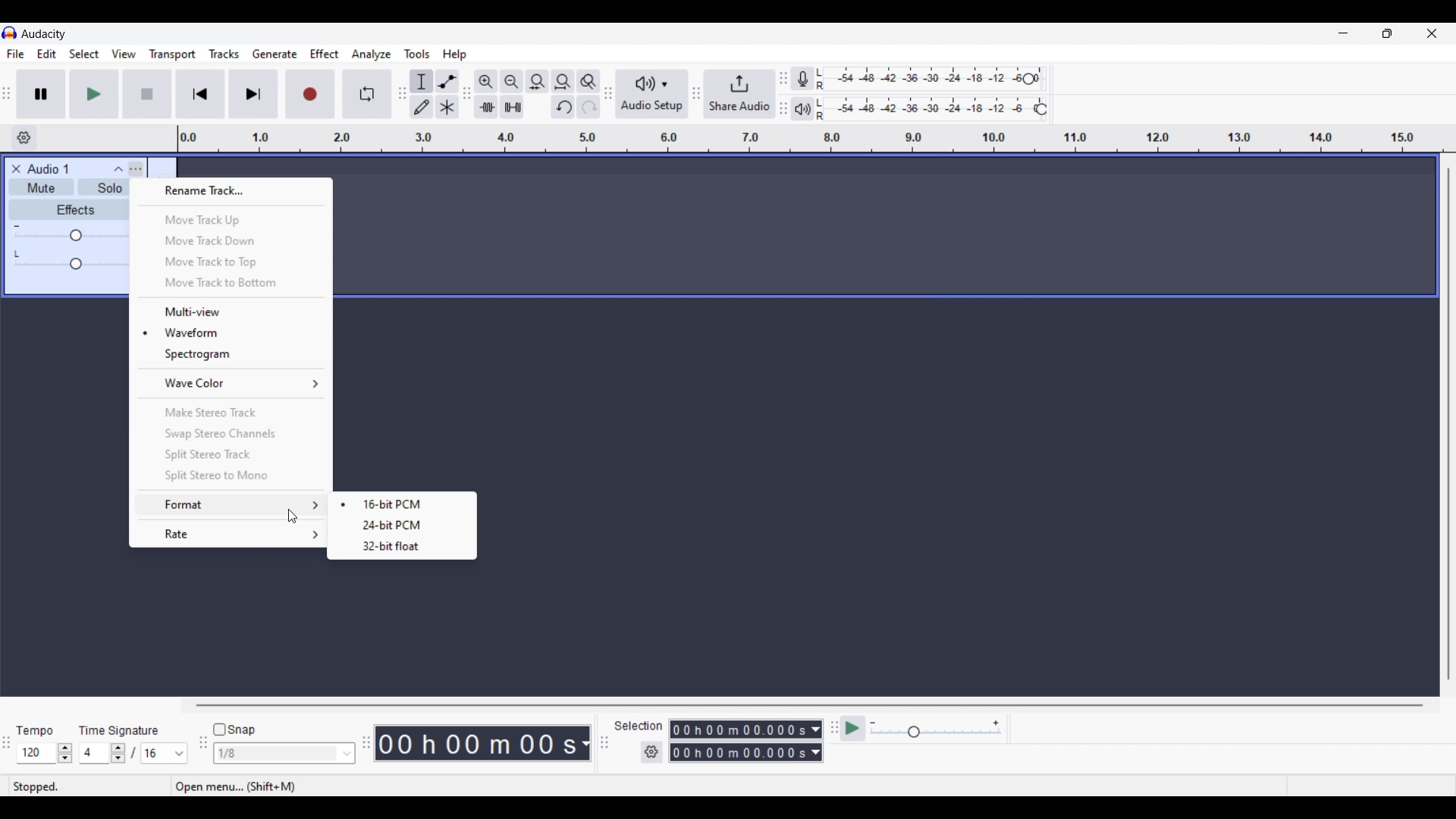 The height and width of the screenshot is (819, 1456). What do you see at coordinates (817, 139) in the screenshot?
I see `Scale to measure audio length` at bounding box center [817, 139].